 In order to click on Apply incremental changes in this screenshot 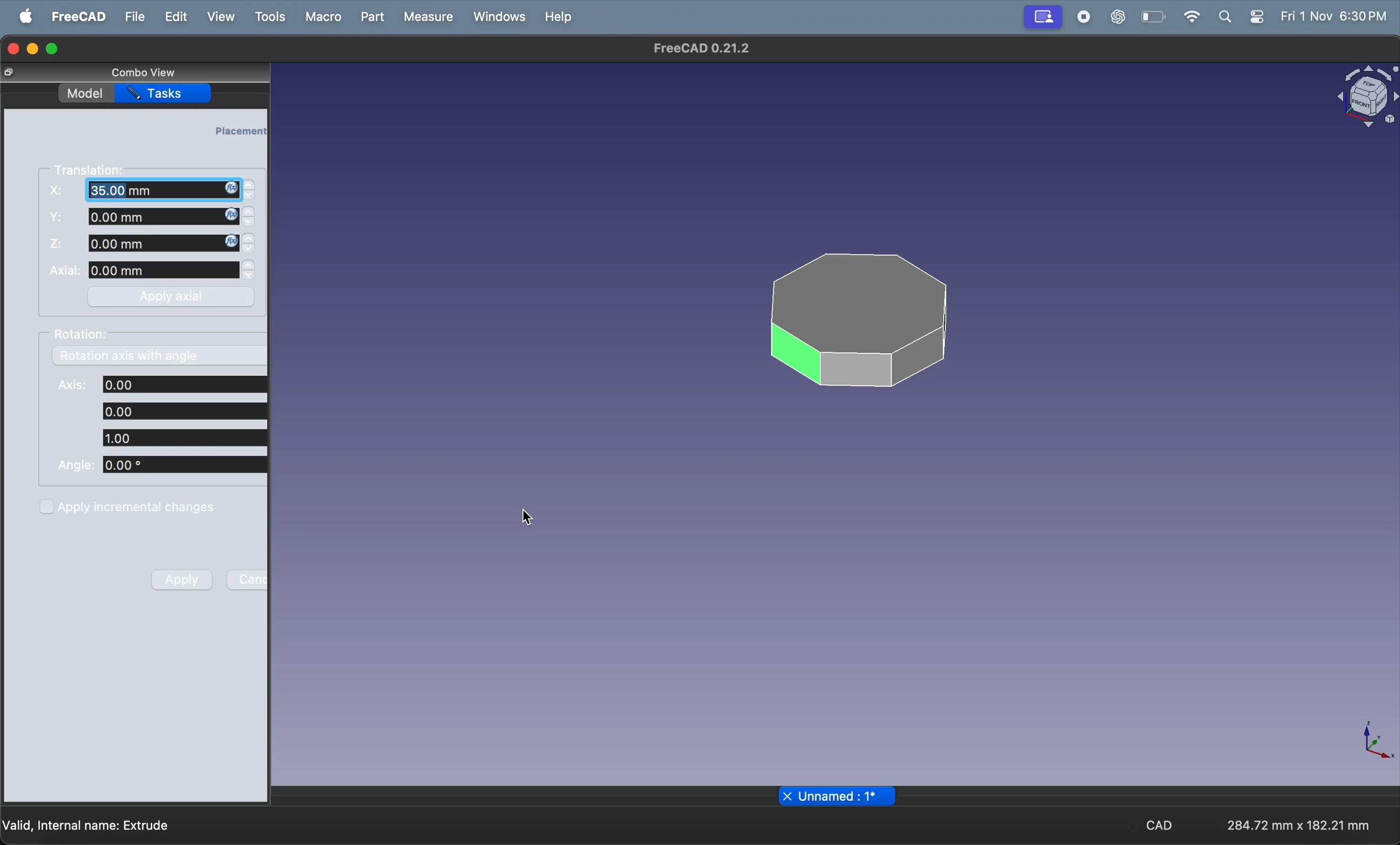, I will do `click(129, 506)`.